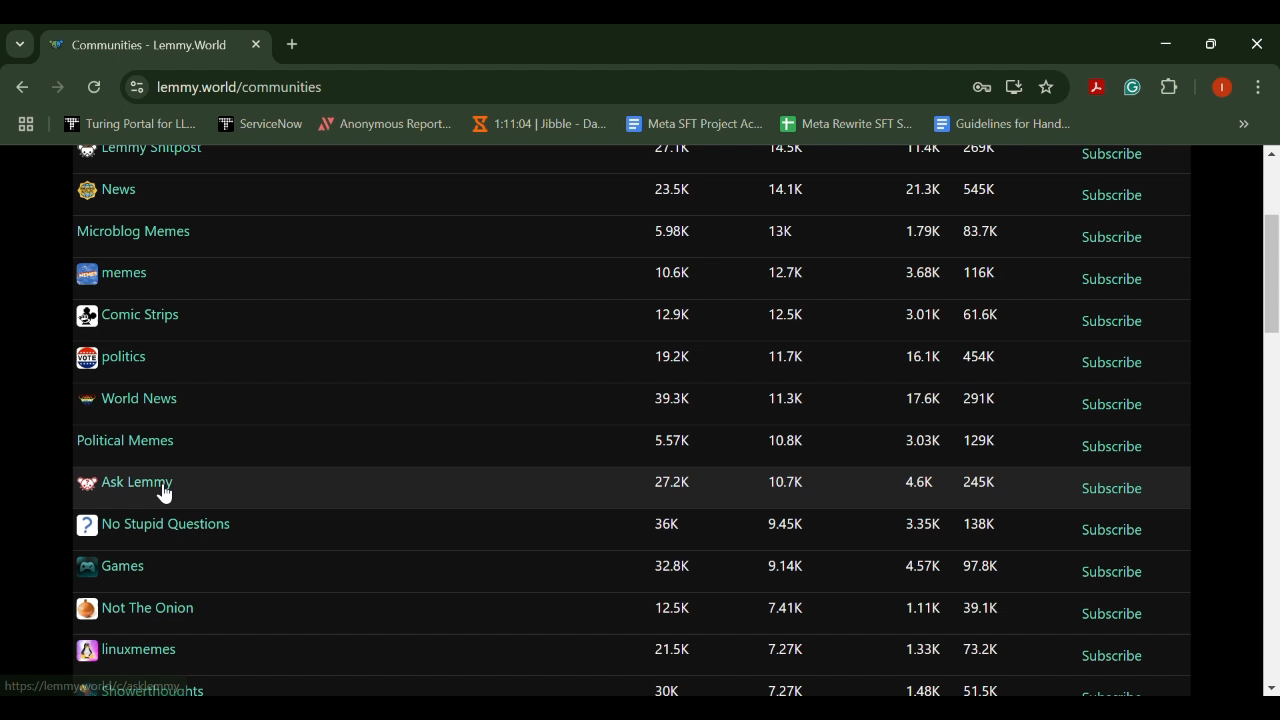 The image size is (1280, 720). I want to click on 9.14K, so click(783, 566).